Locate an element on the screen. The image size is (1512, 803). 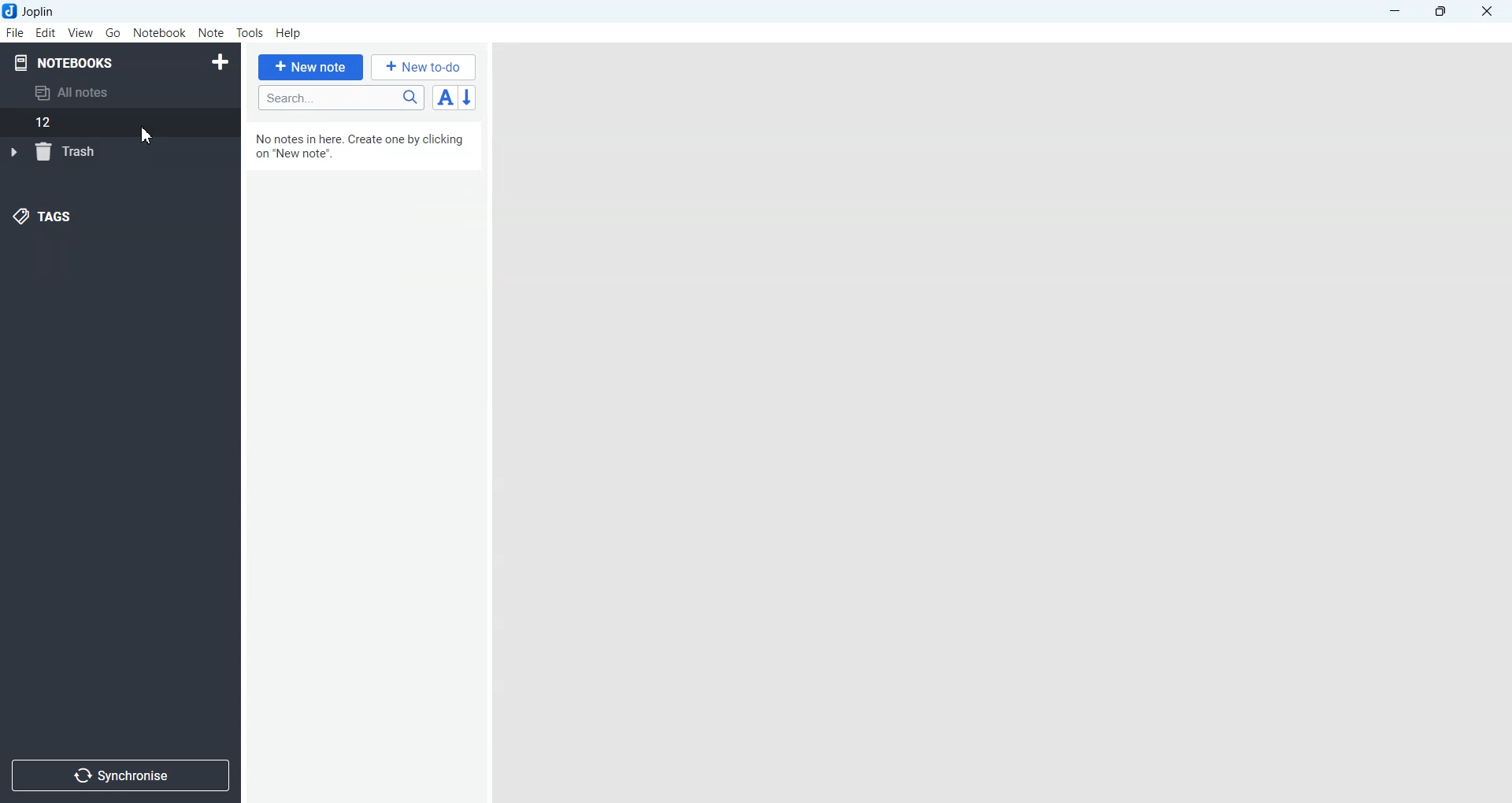
+ New to-do is located at coordinates (425, 66).